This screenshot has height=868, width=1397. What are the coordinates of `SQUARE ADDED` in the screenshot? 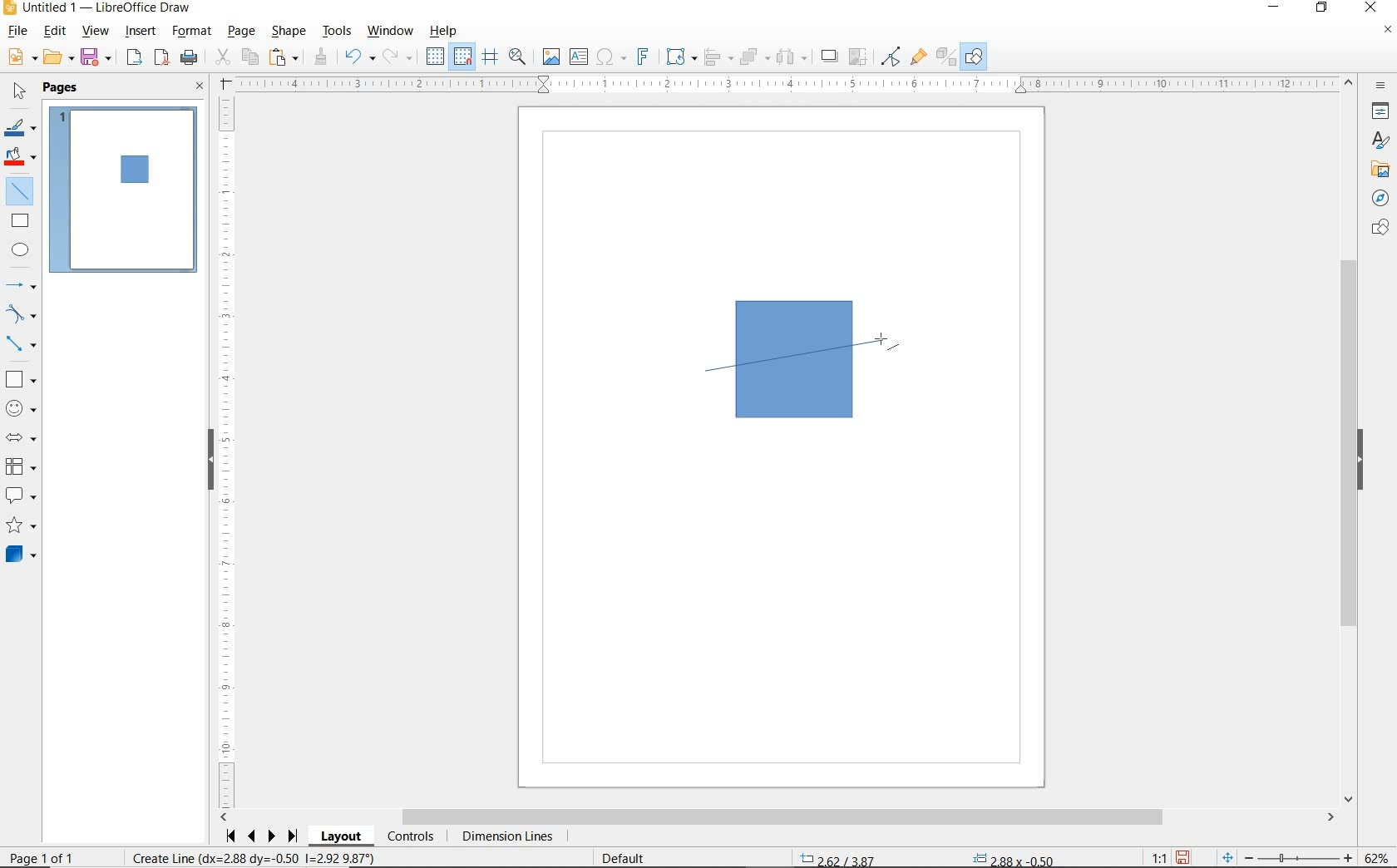 It's located at (132, 171).